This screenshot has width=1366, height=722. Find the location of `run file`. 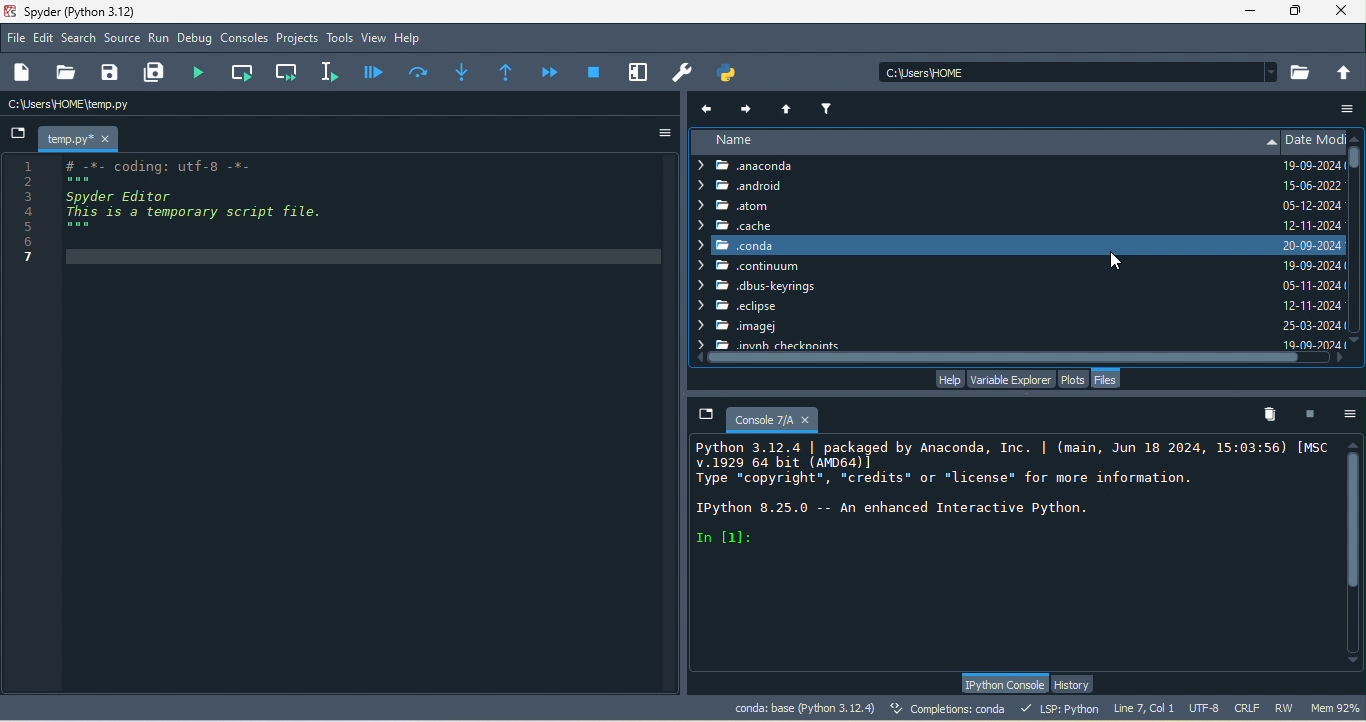

run file is located at coordinates (204, 72).